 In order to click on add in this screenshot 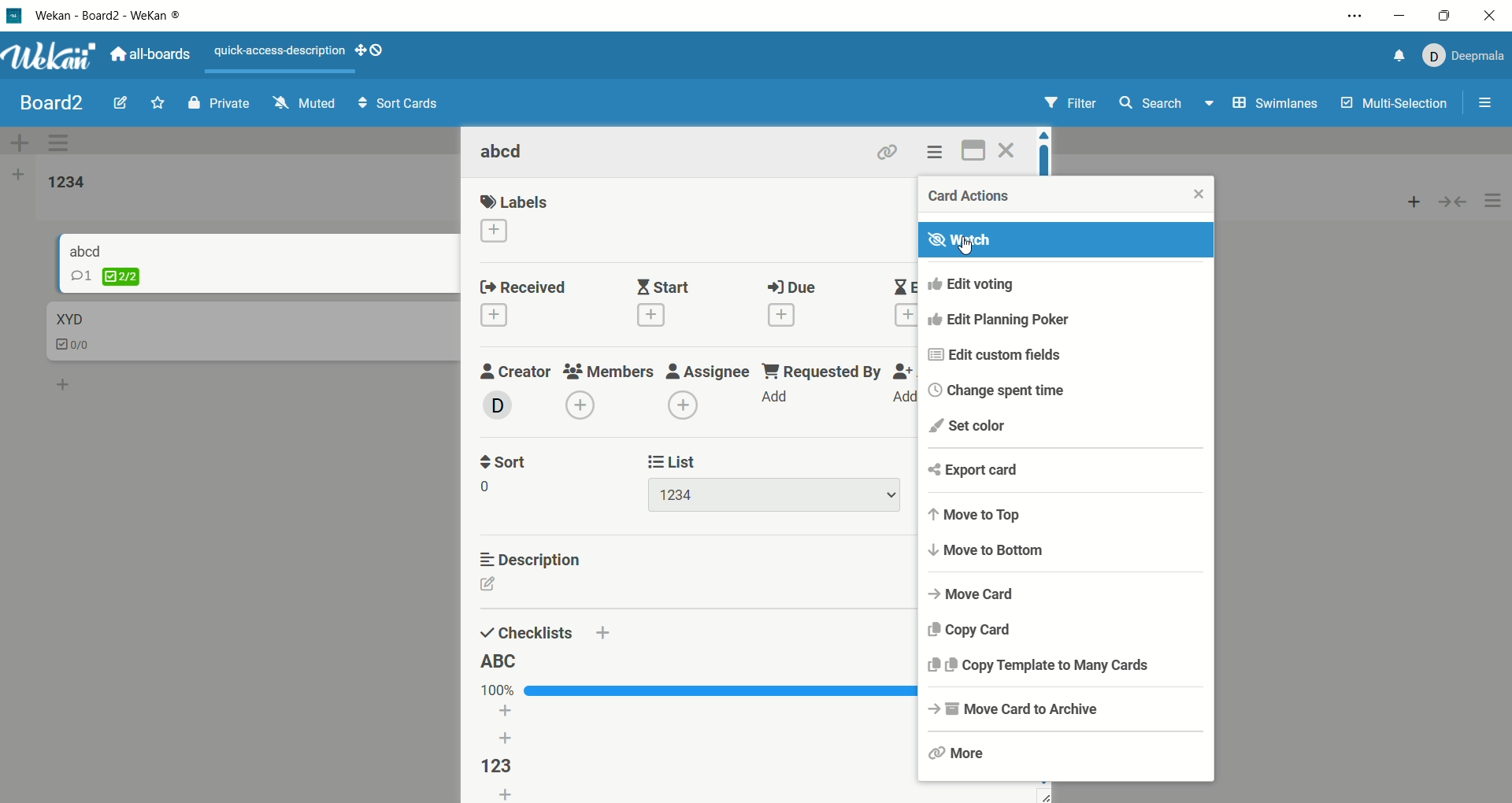, I will do `click(602, 634)`.